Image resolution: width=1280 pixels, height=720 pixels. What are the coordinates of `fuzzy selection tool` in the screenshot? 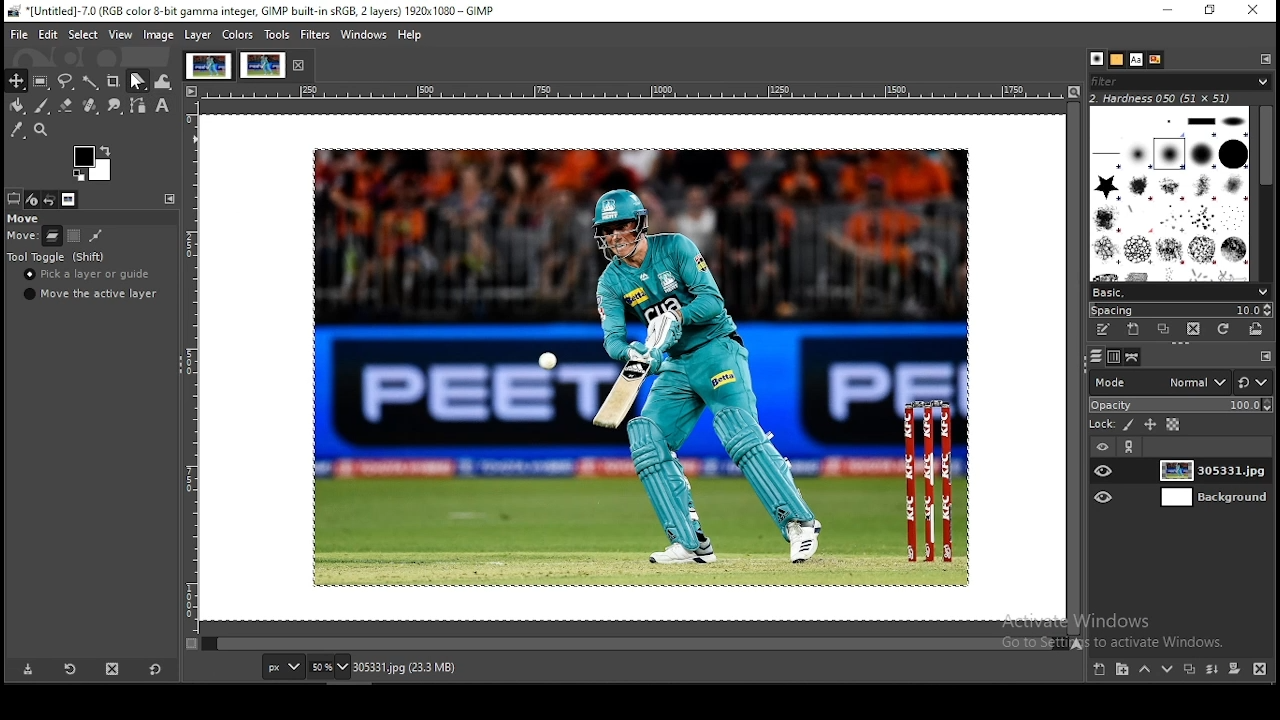 It's located at (93, 83).